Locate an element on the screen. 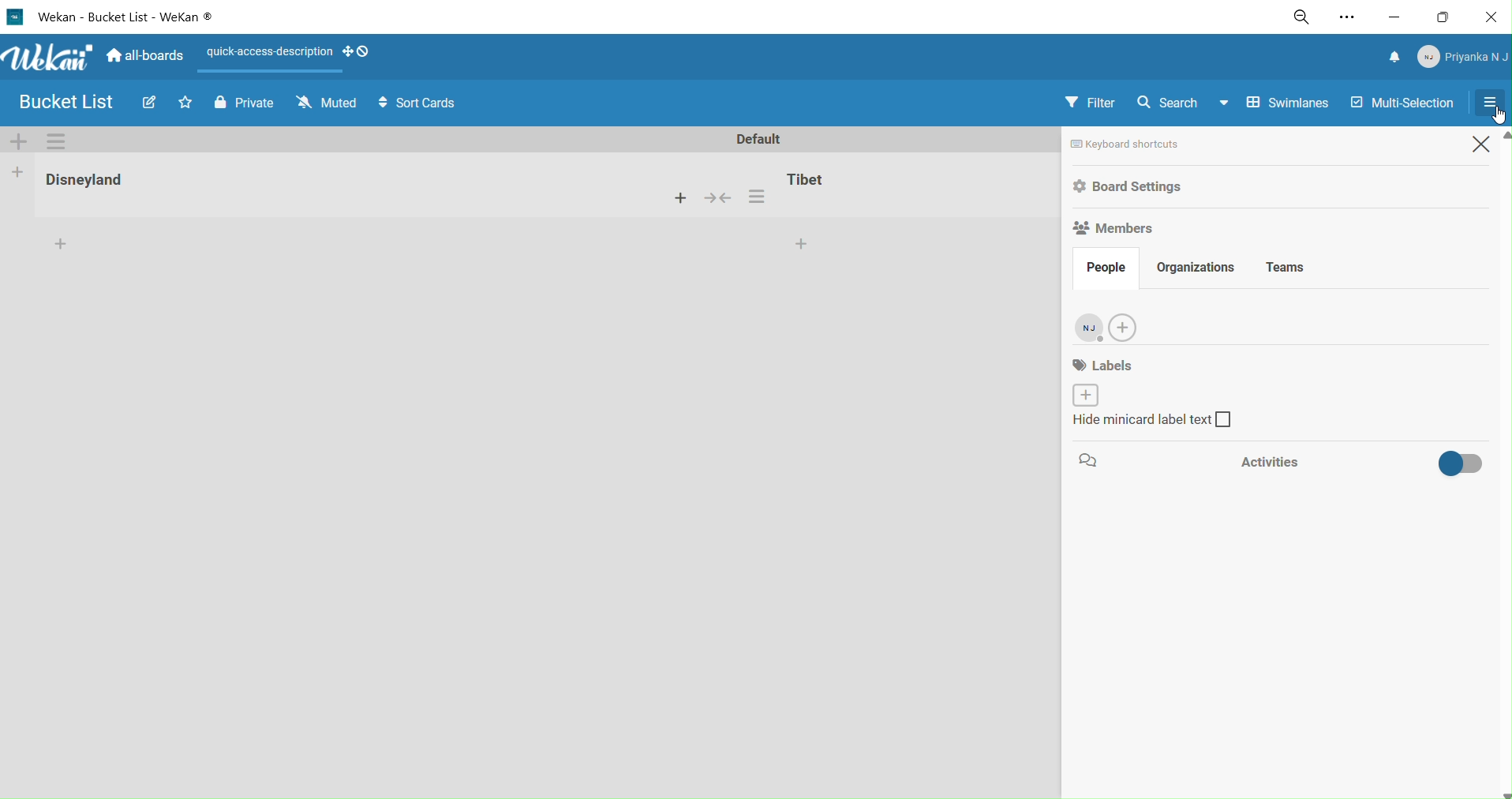 Image resolution: width=1512 pixels, height=799 pixels. default is located at coordinates (568, 137).